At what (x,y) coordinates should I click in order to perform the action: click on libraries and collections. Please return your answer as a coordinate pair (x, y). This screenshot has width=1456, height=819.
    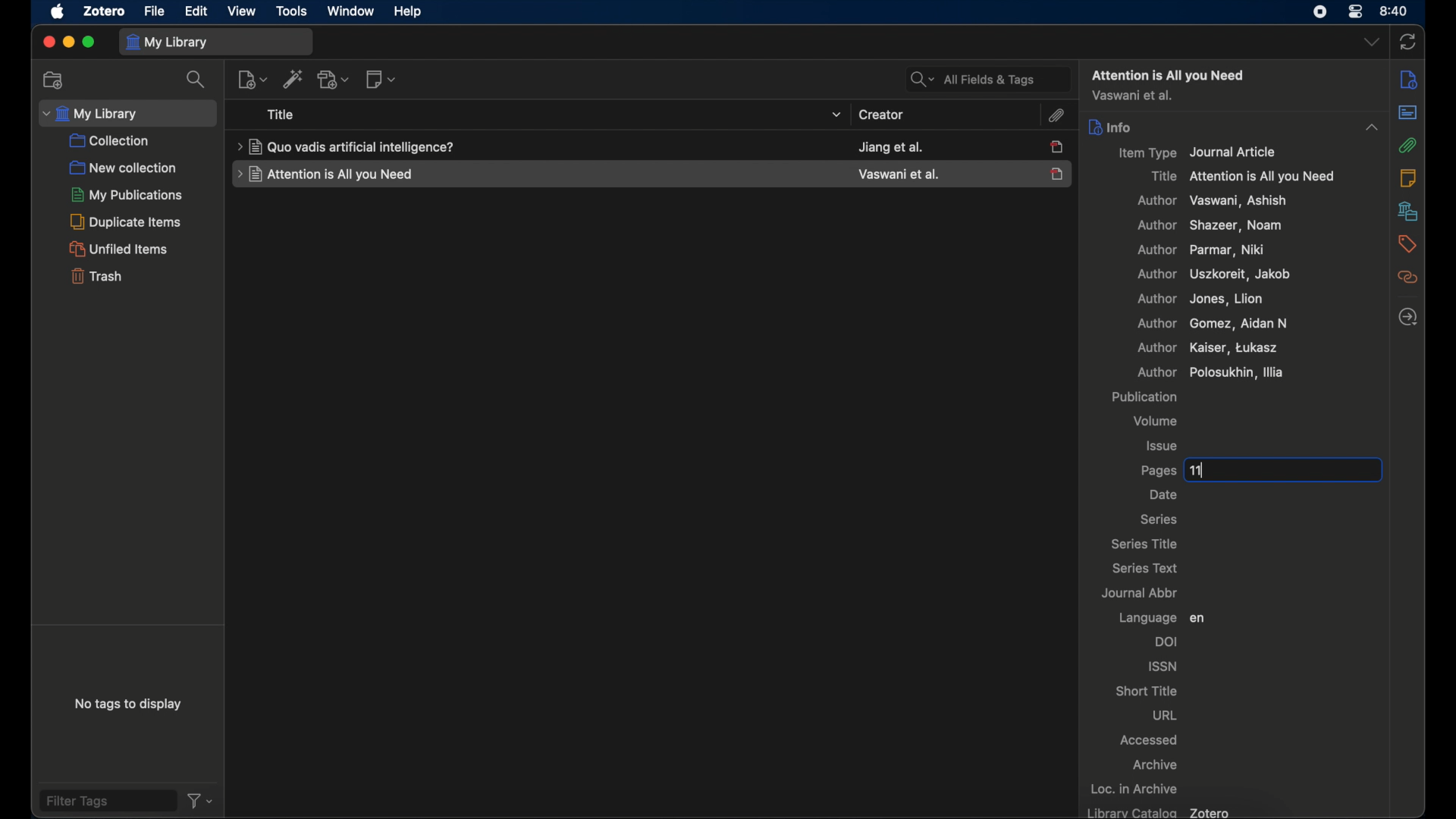
    Looking at the image, I should click on (1407, 212).